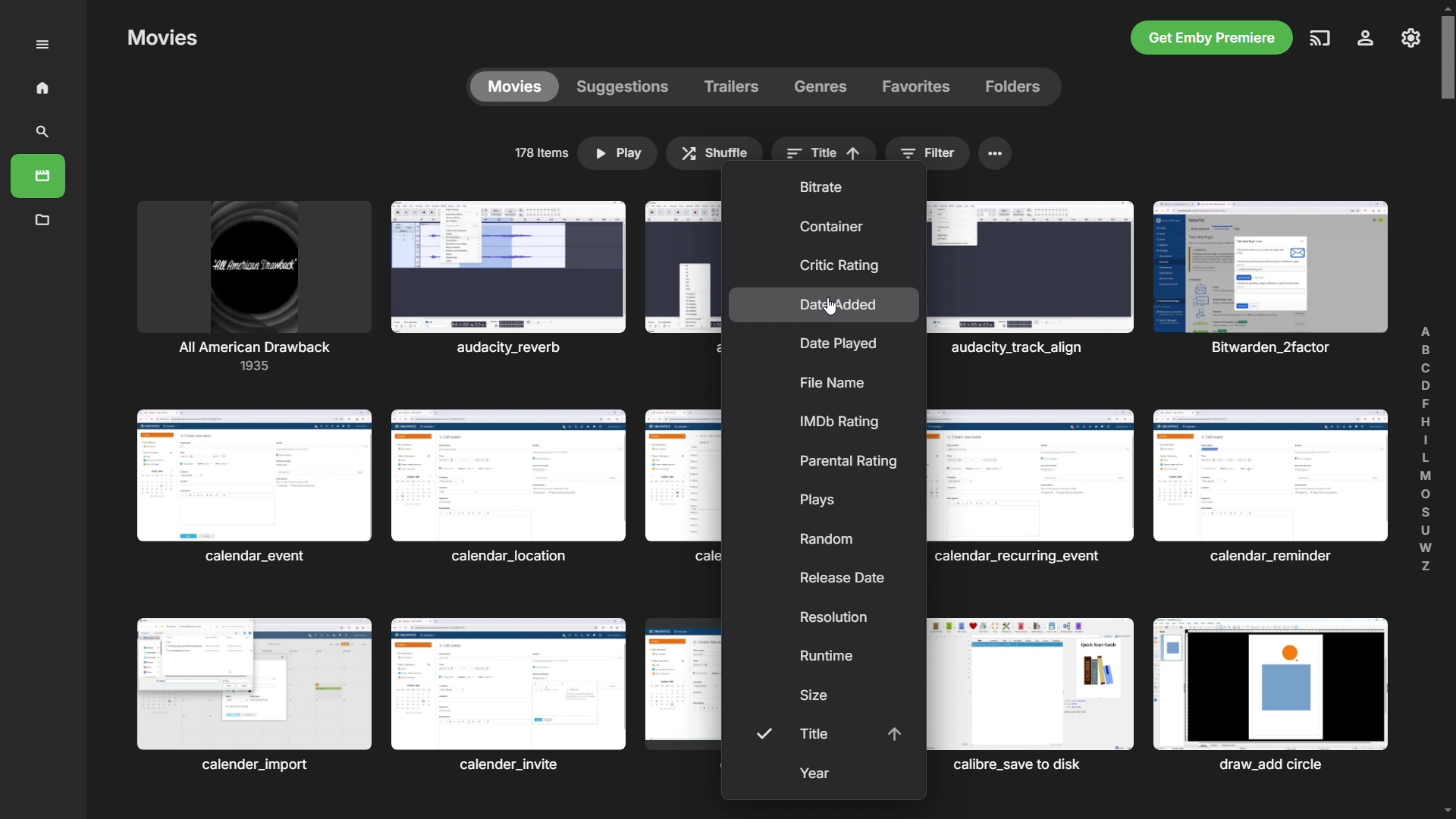 Image resolution: width=1456 pixels, height=819 pixels. What do you see at coordinates (927, 147) in the screenshot?
I see `filter` at bounding box center [927, 147].